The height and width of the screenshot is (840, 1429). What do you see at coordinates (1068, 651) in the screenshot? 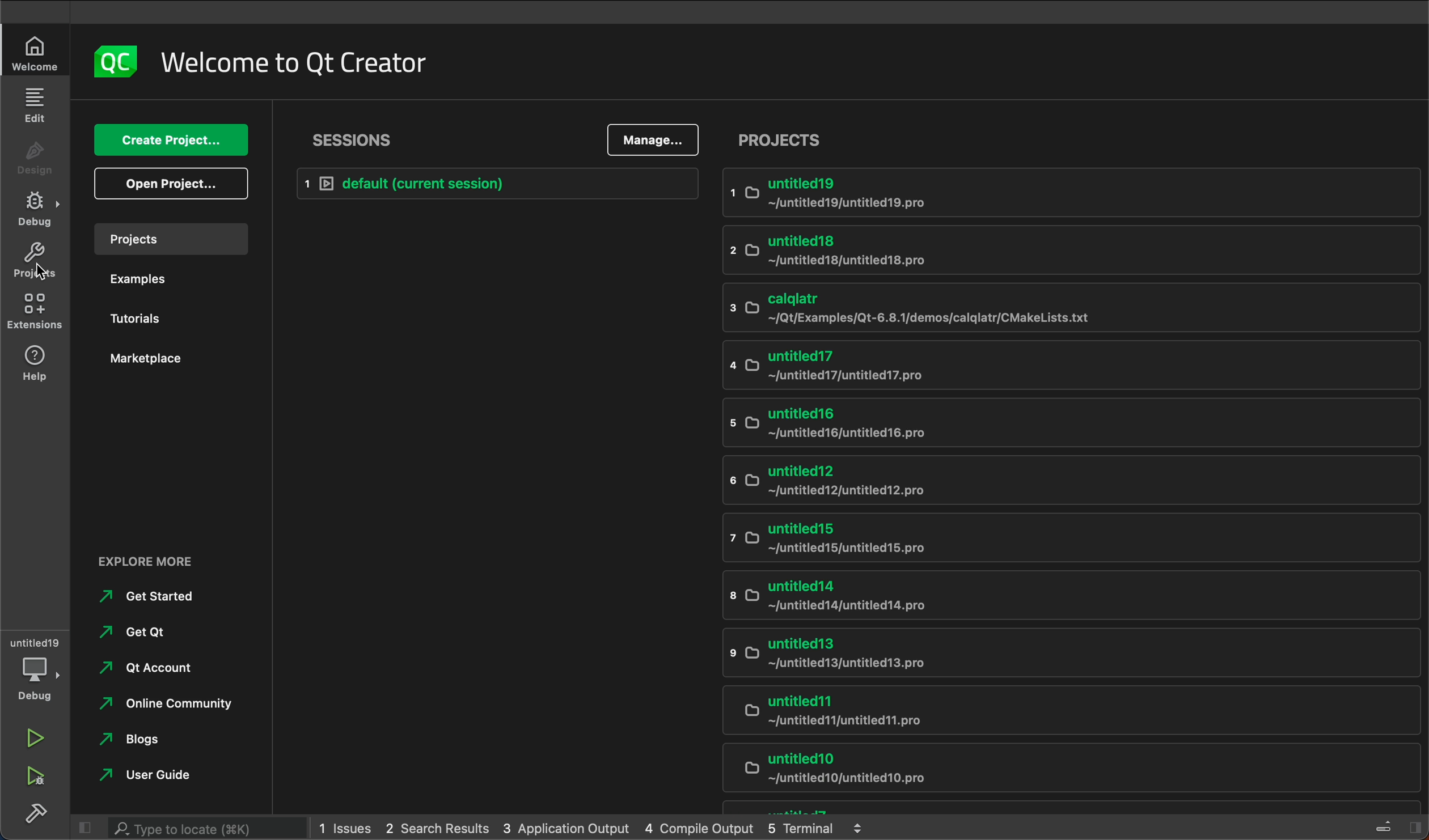
I see `untitled13` at bounding box center [1068, 651].